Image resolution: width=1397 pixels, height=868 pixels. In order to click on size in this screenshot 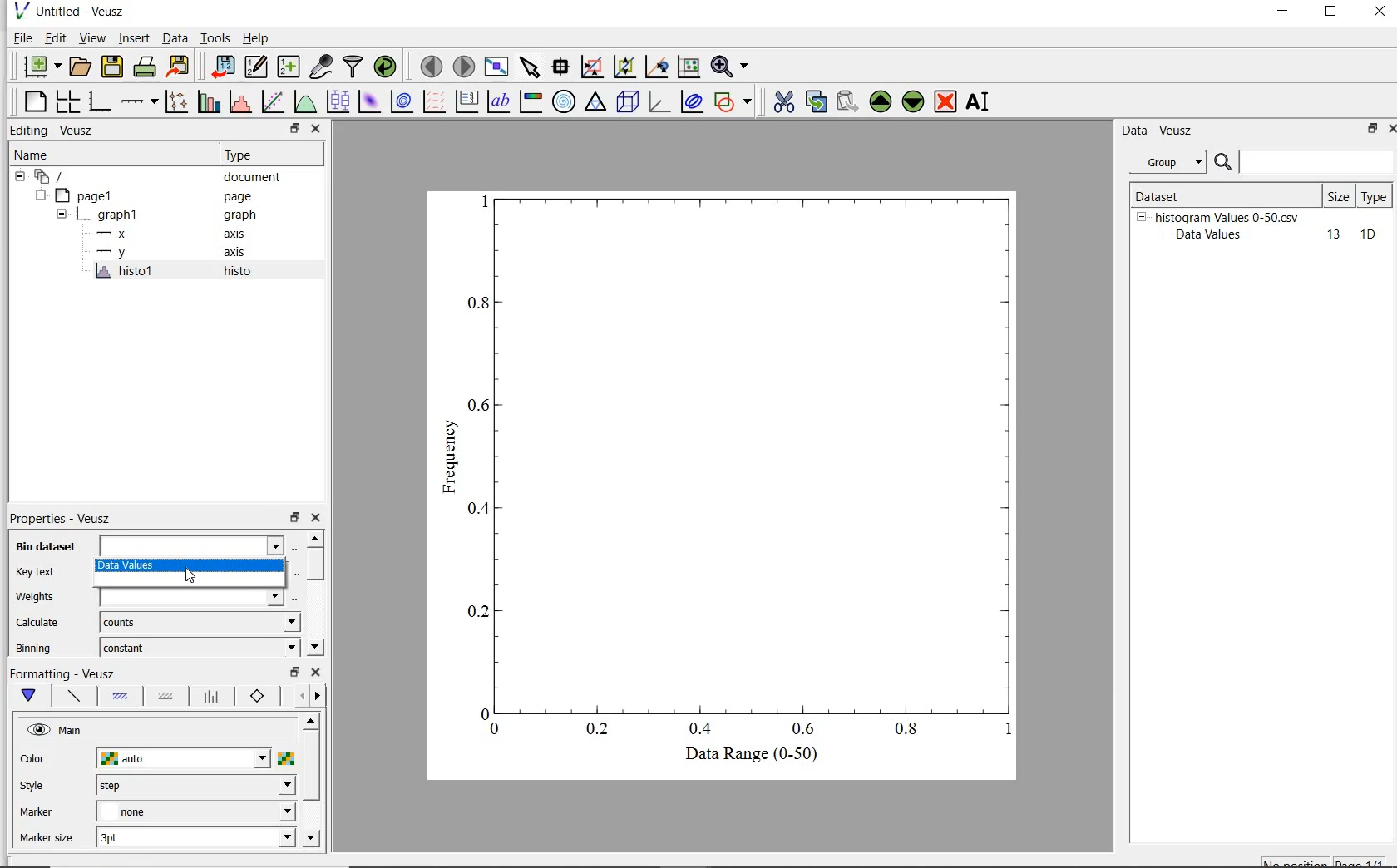, I will do `click(1338, 196)`.